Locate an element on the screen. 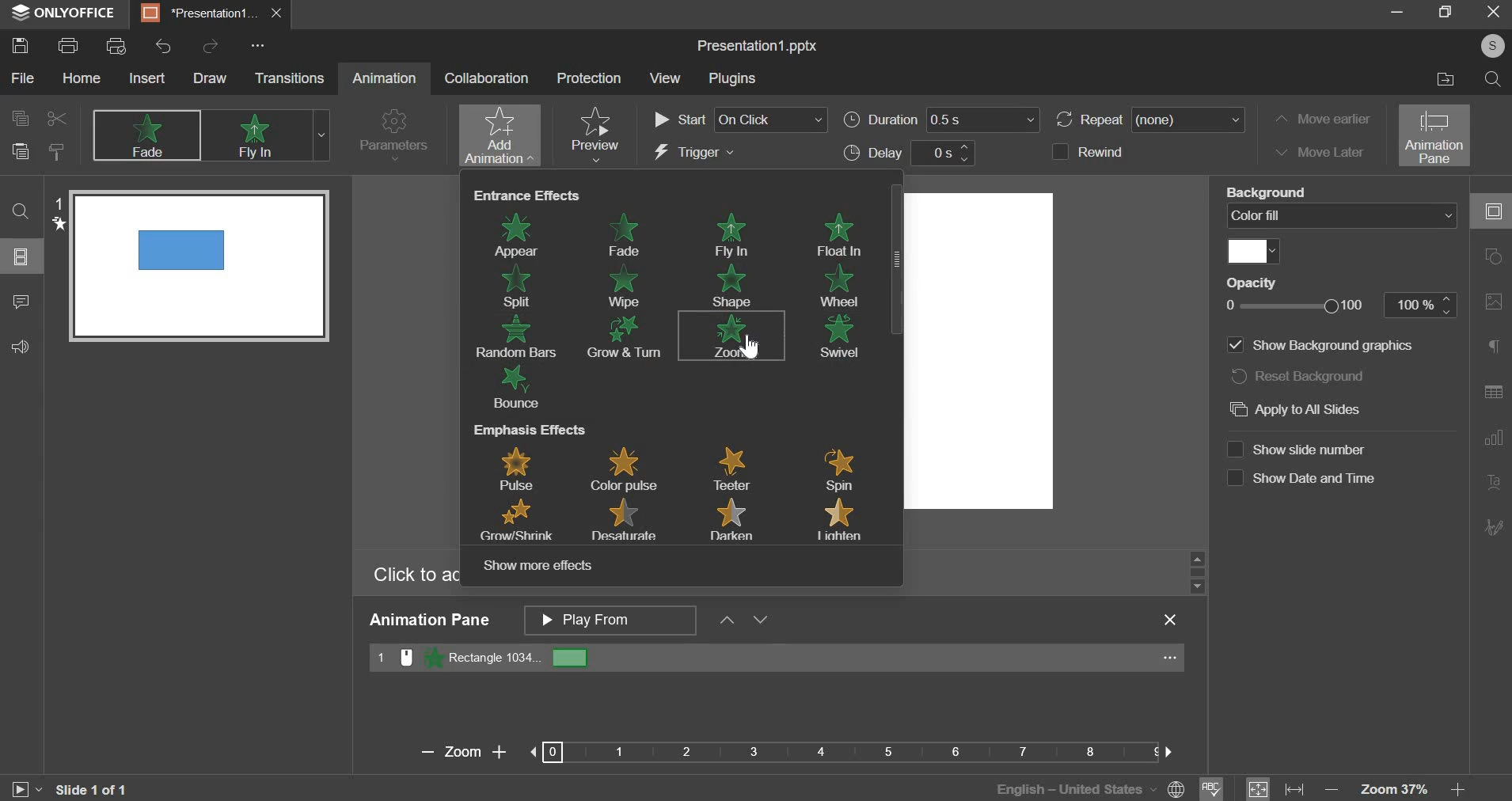  print is located at coordinates (71, 46).